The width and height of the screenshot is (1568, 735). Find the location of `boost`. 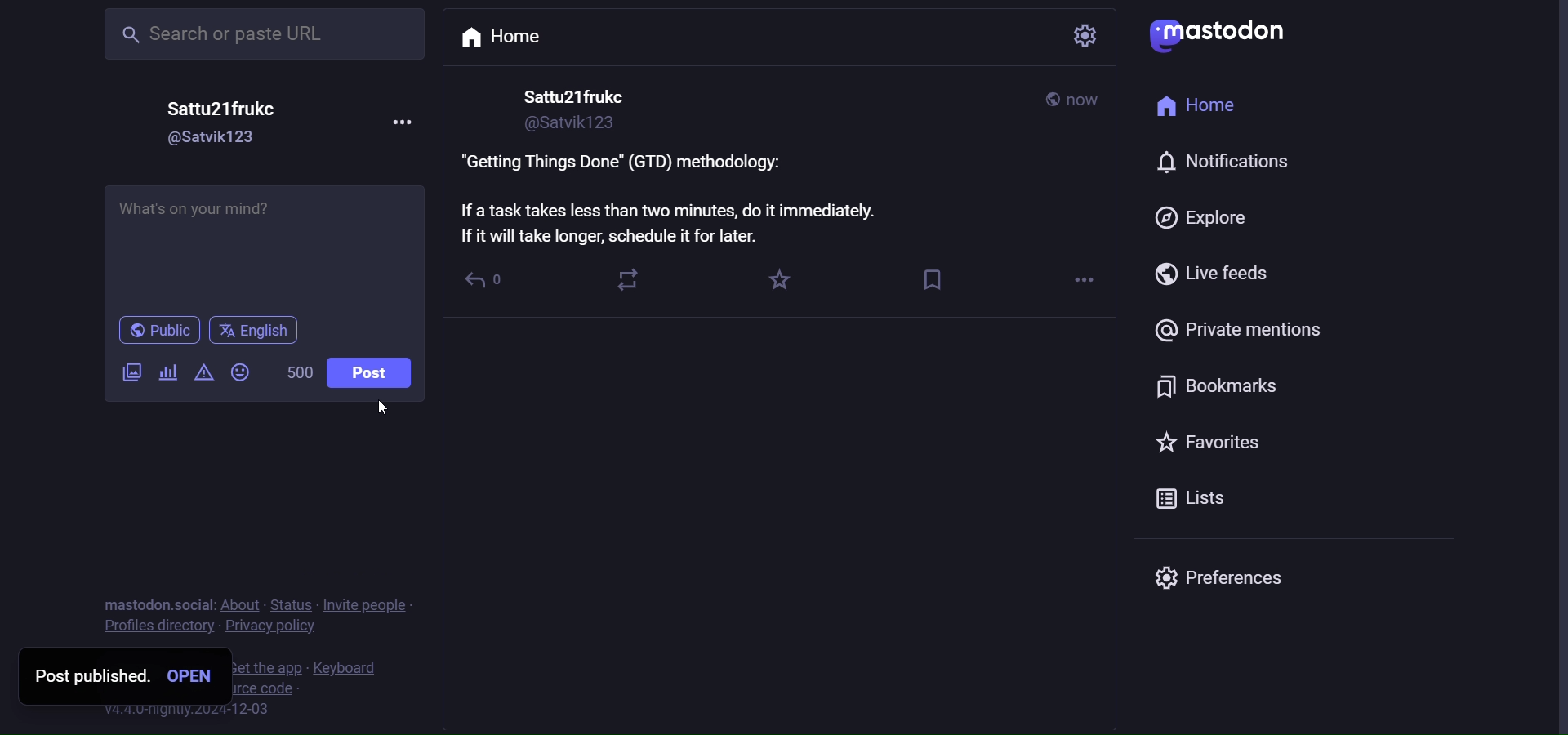

boost is located at coordinates (623, 282).